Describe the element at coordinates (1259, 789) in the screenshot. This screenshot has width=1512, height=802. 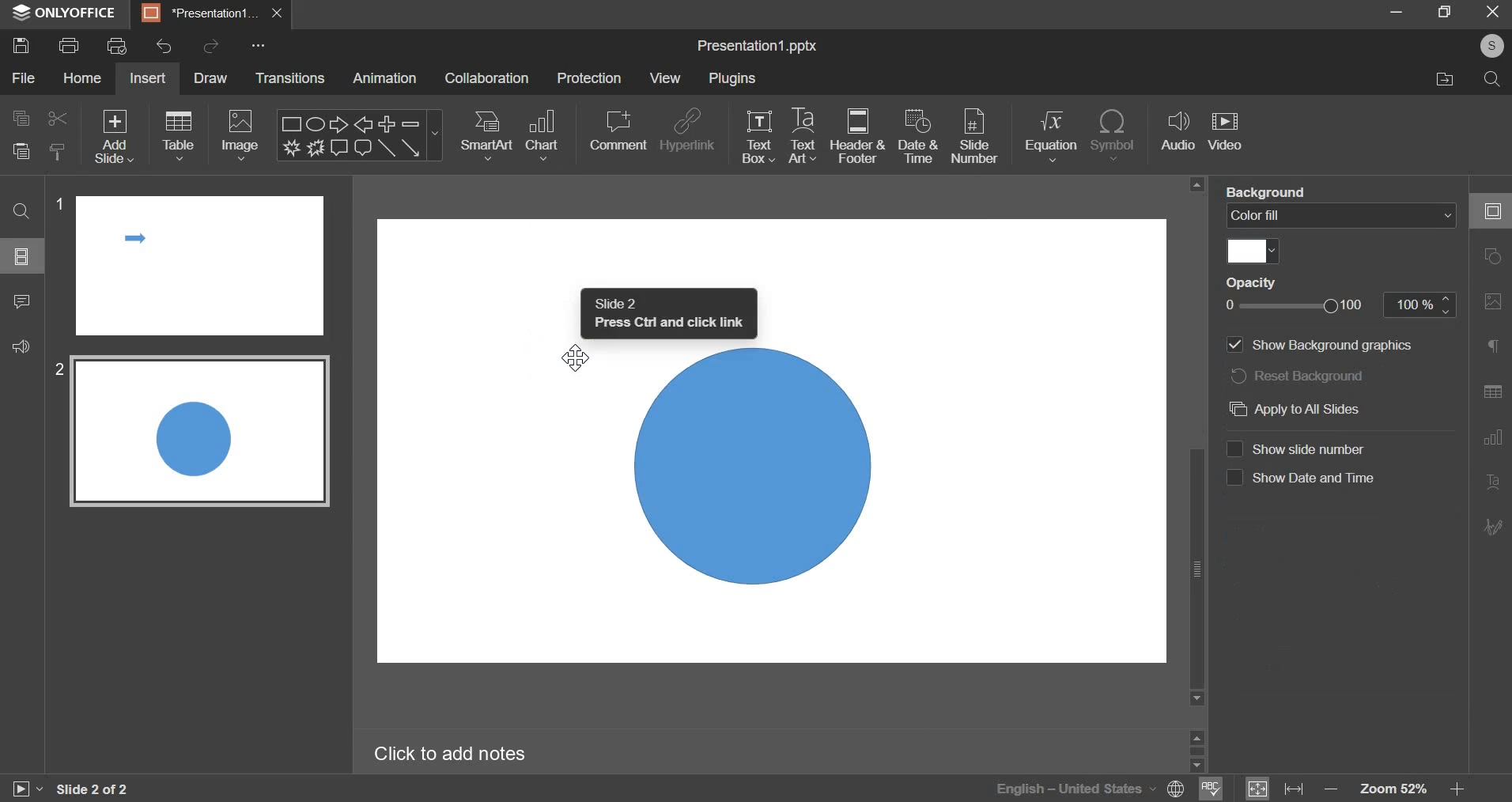
I see `fit to slide` at that location.